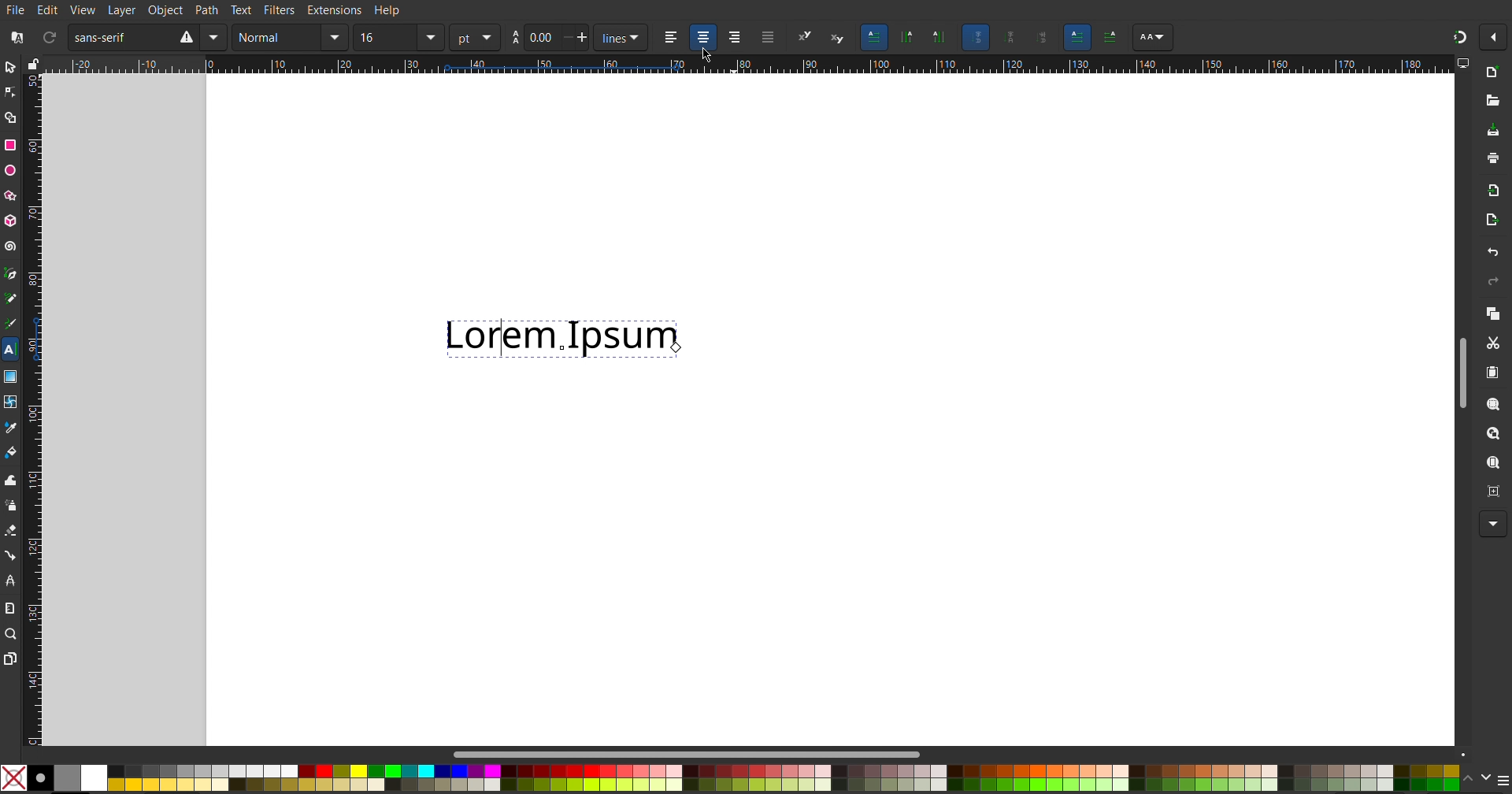  What do you see at coordinates (13, 299) in the screenshot?
I see `Pencil Tool` at bounding box center [13, 299].